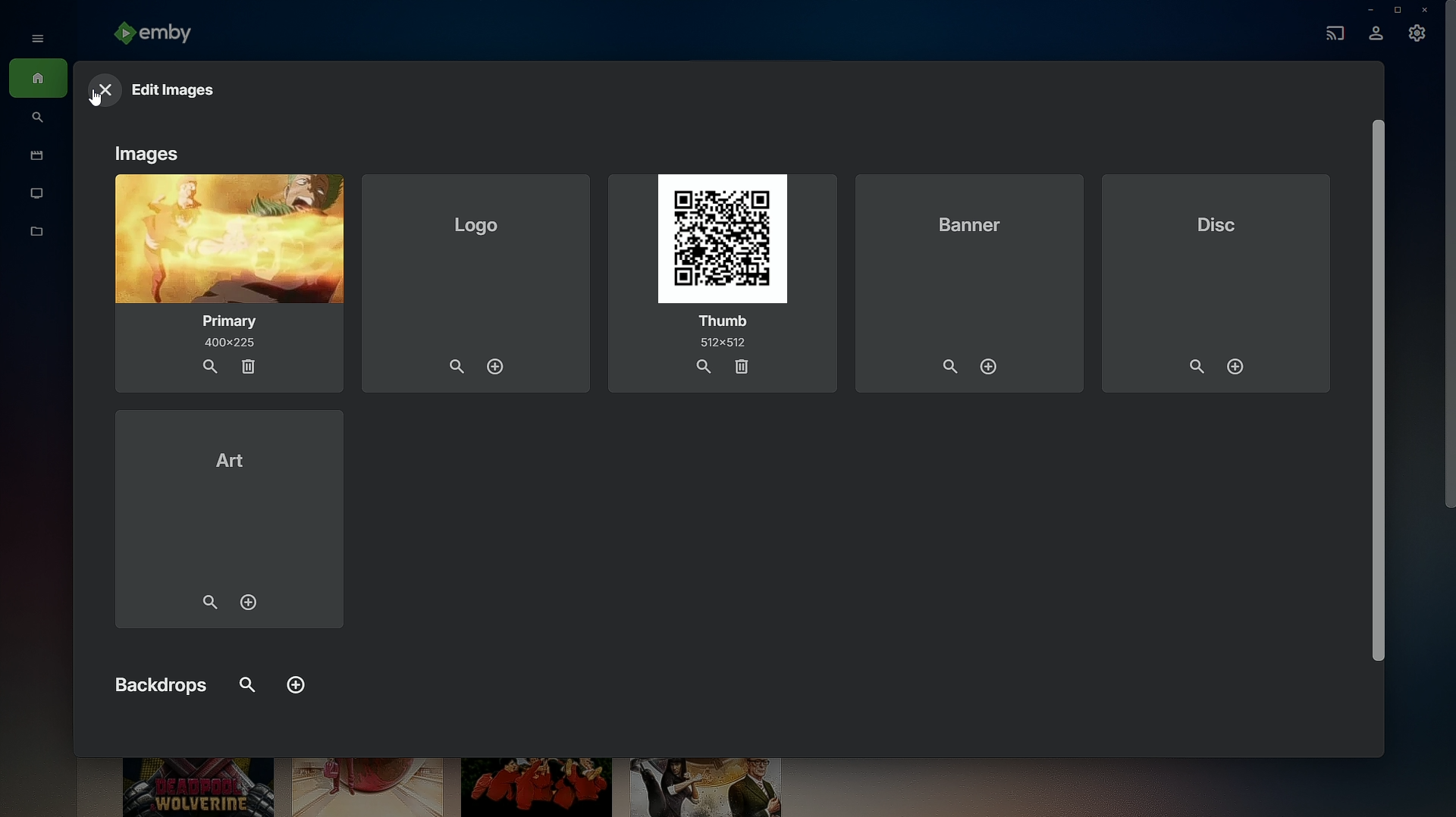 The height and width of the screenshot is (817, 1456). Describe the element at coordinates (38, 194) in the screenshot. I see `TV Shows` at that location.